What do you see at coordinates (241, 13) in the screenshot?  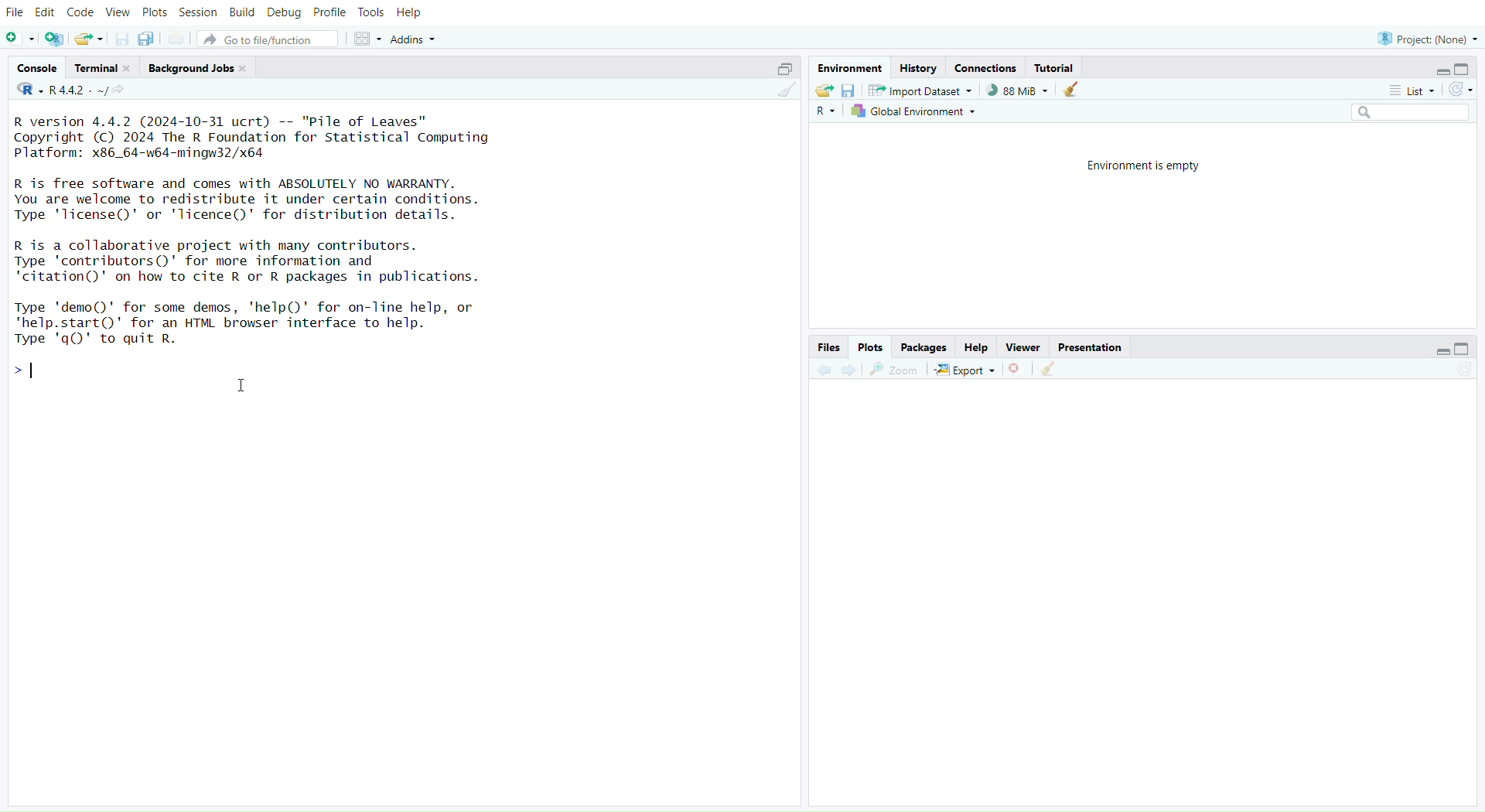 I see `build` at bounding box center [241, 13].